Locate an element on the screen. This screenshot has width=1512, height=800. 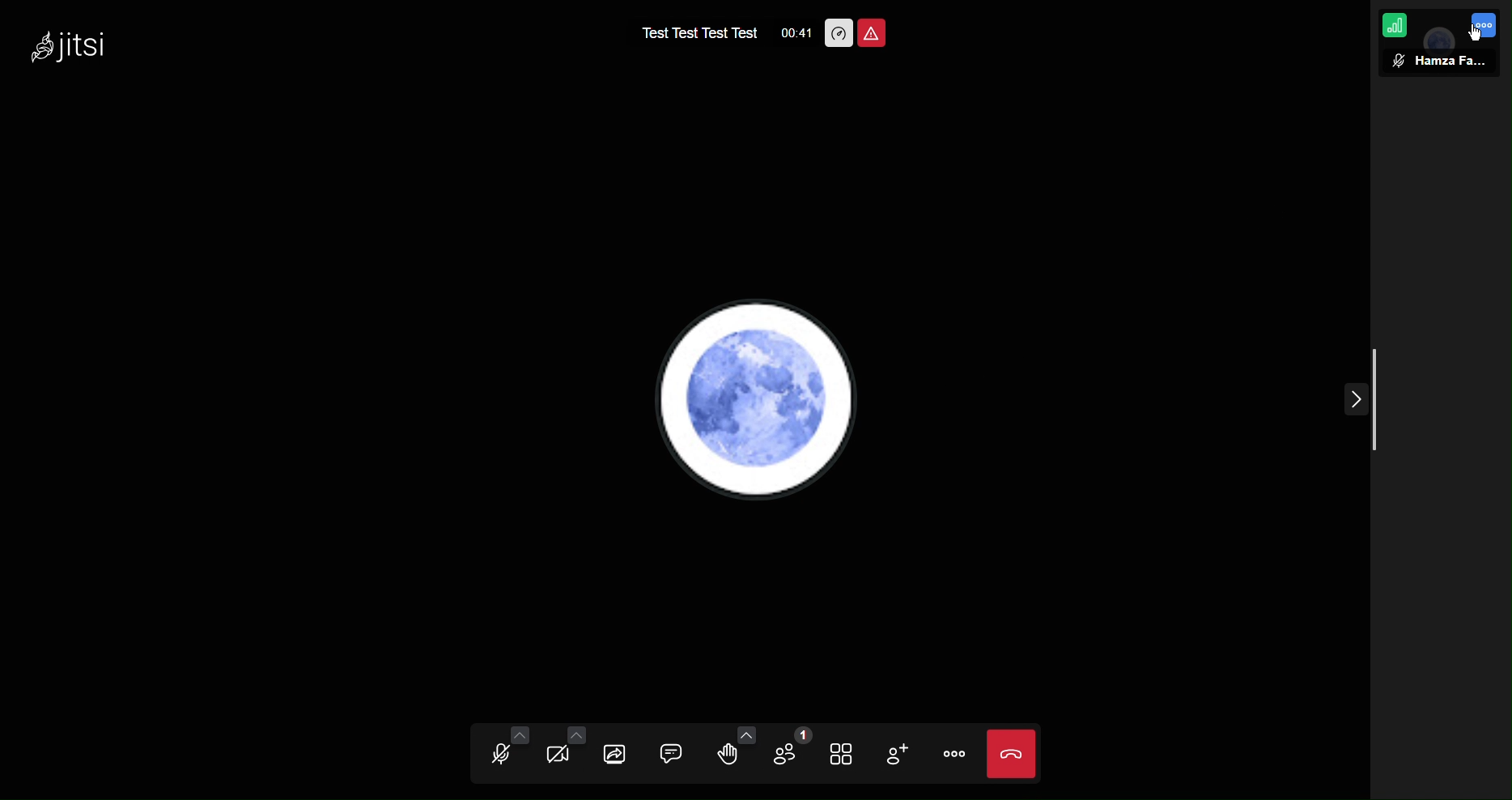
Unsafe Meeting is located at coordinates (874, 32).